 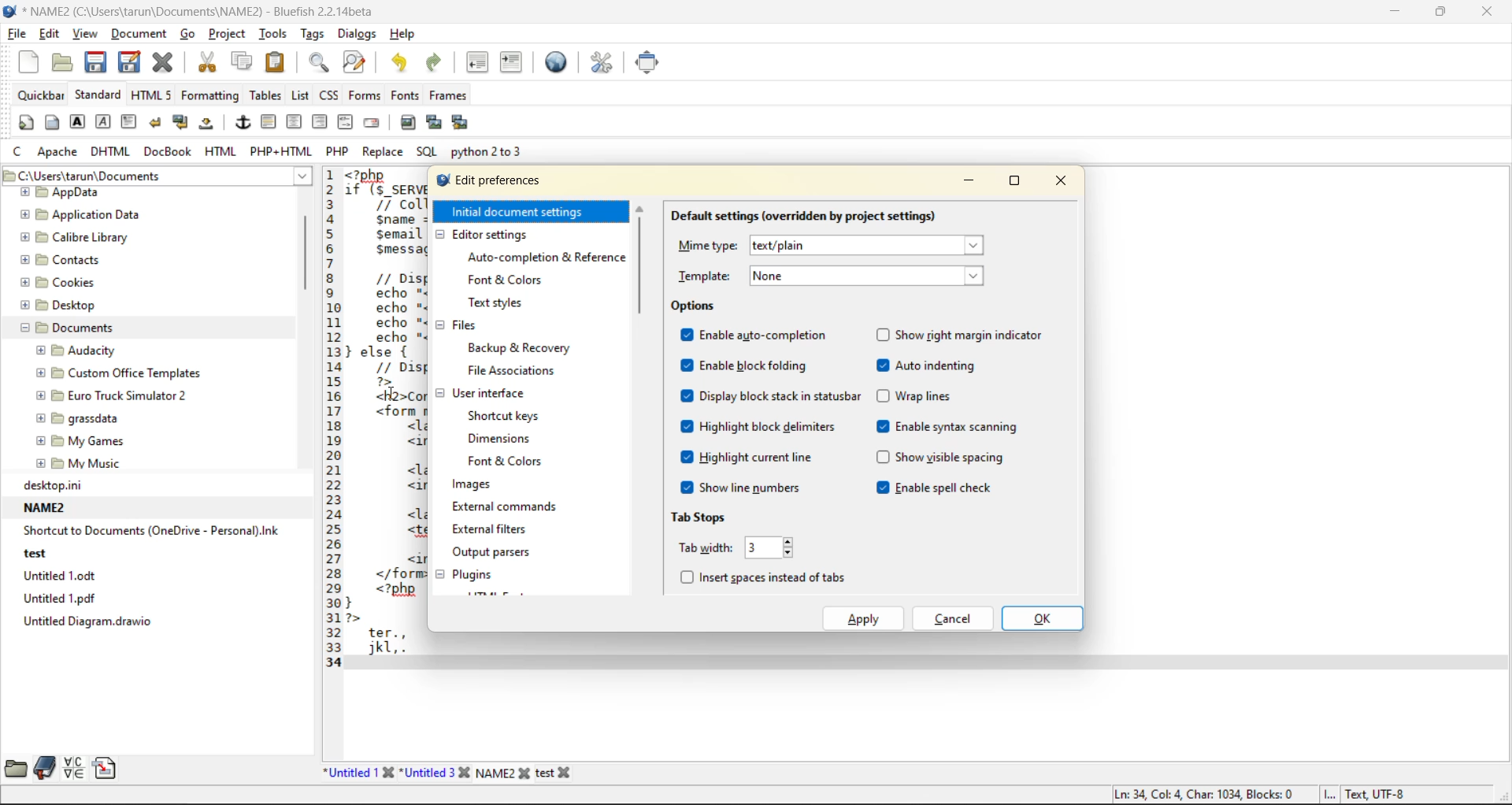 I want to click on html comment, so click(x=348, y=121).